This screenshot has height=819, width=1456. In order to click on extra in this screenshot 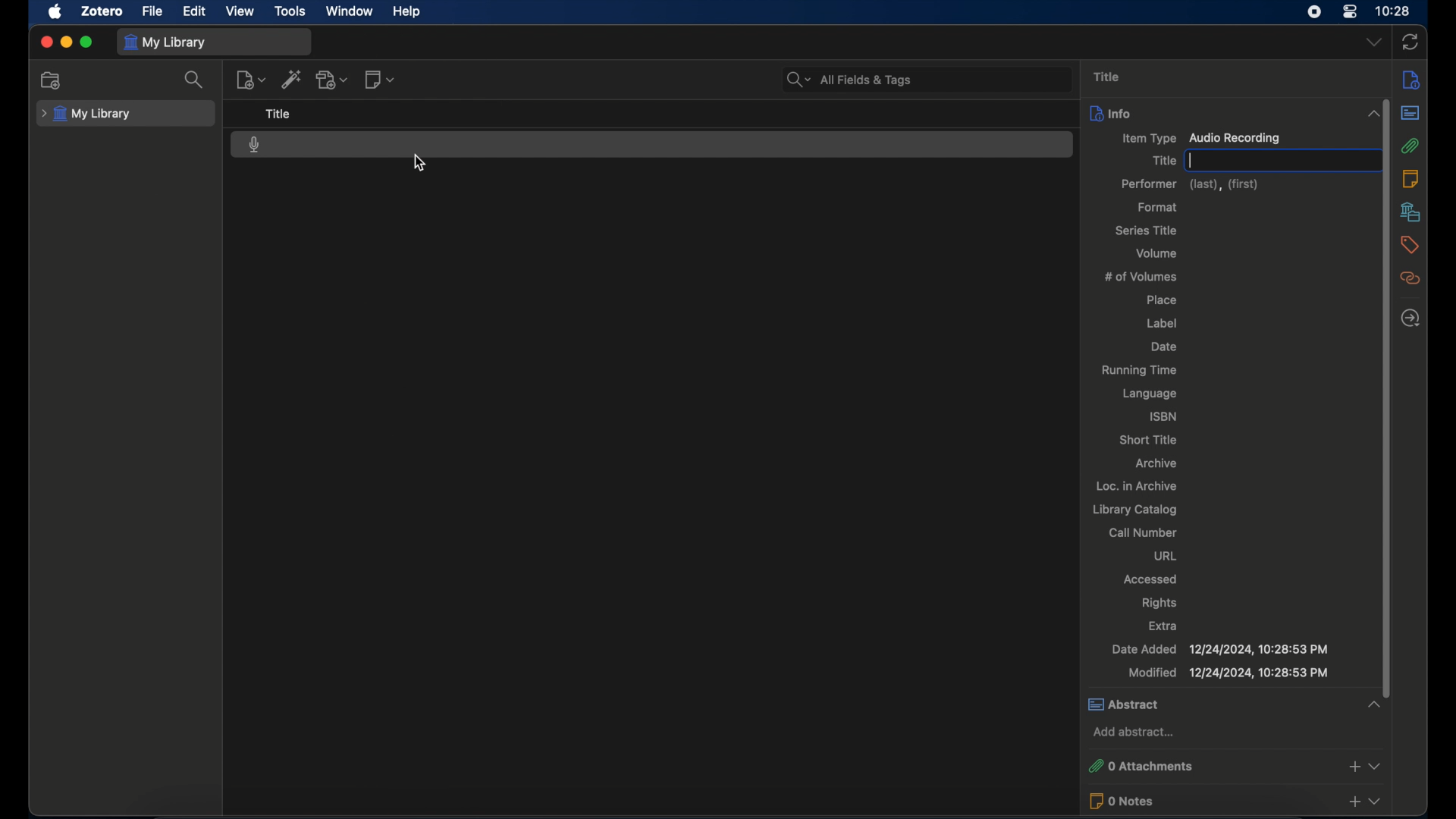, I will do `click(1164, 626)`.